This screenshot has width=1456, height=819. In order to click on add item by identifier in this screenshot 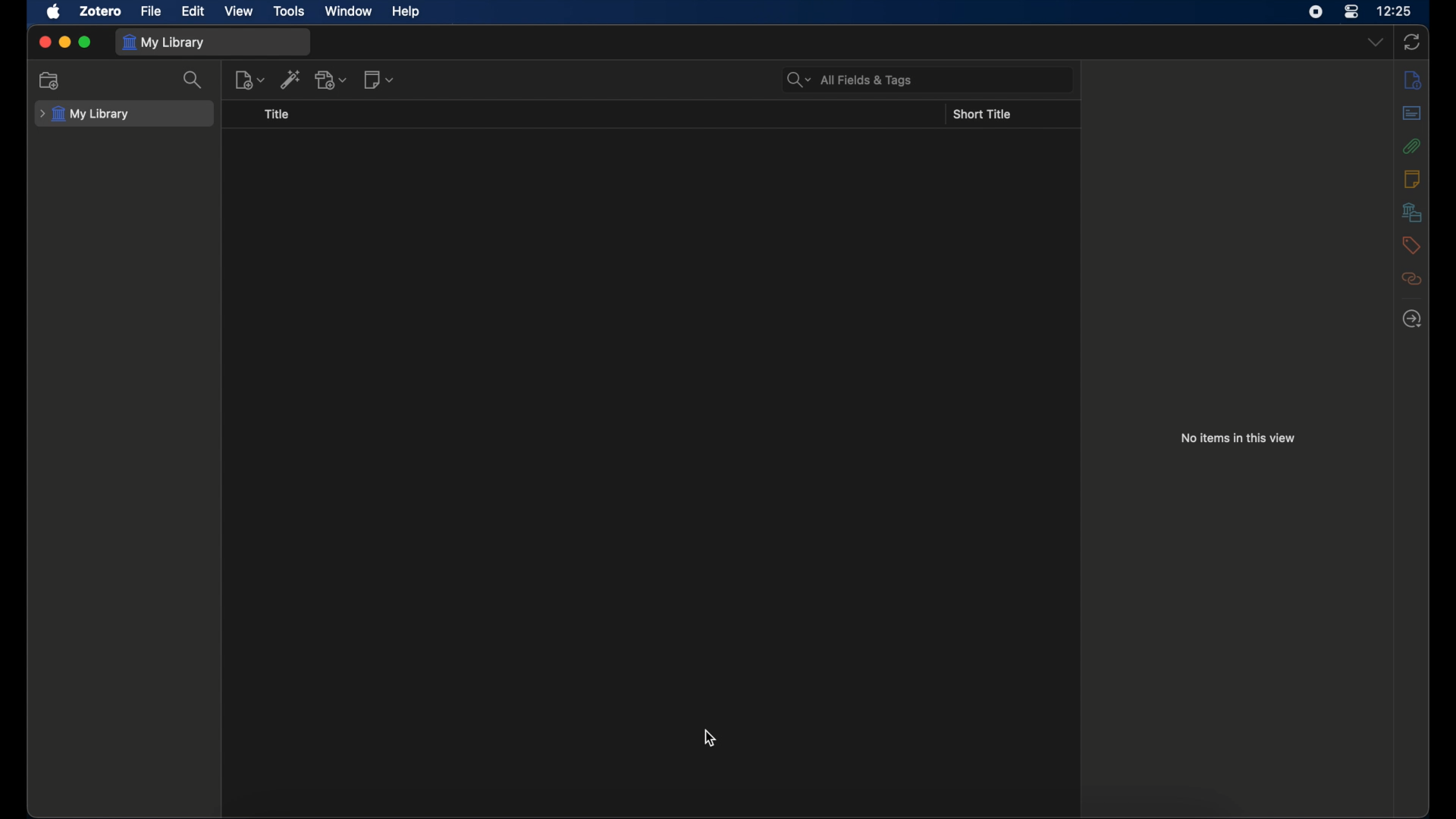, I will do `click(292, 79)`.